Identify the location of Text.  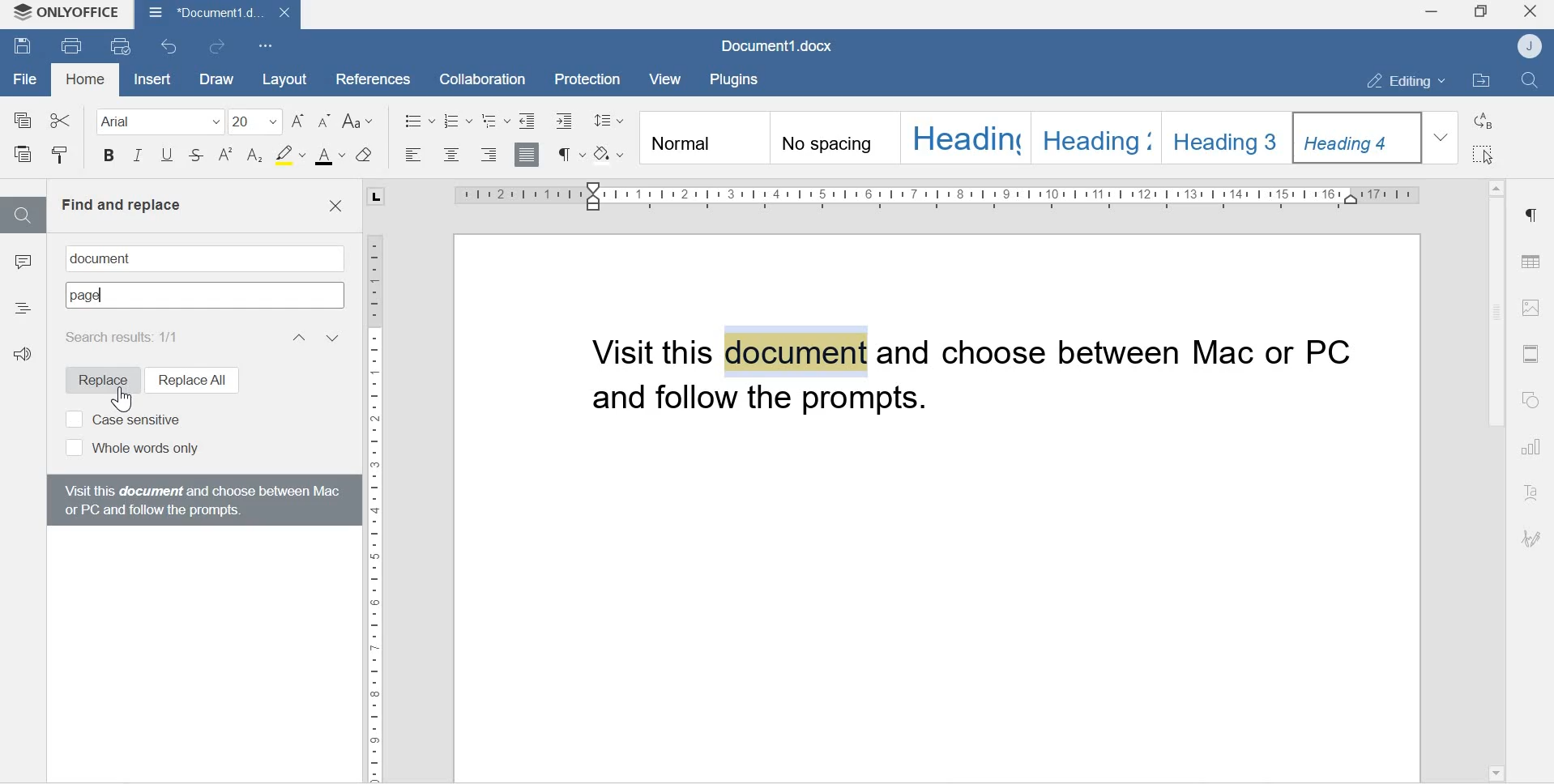
(1533, 494).